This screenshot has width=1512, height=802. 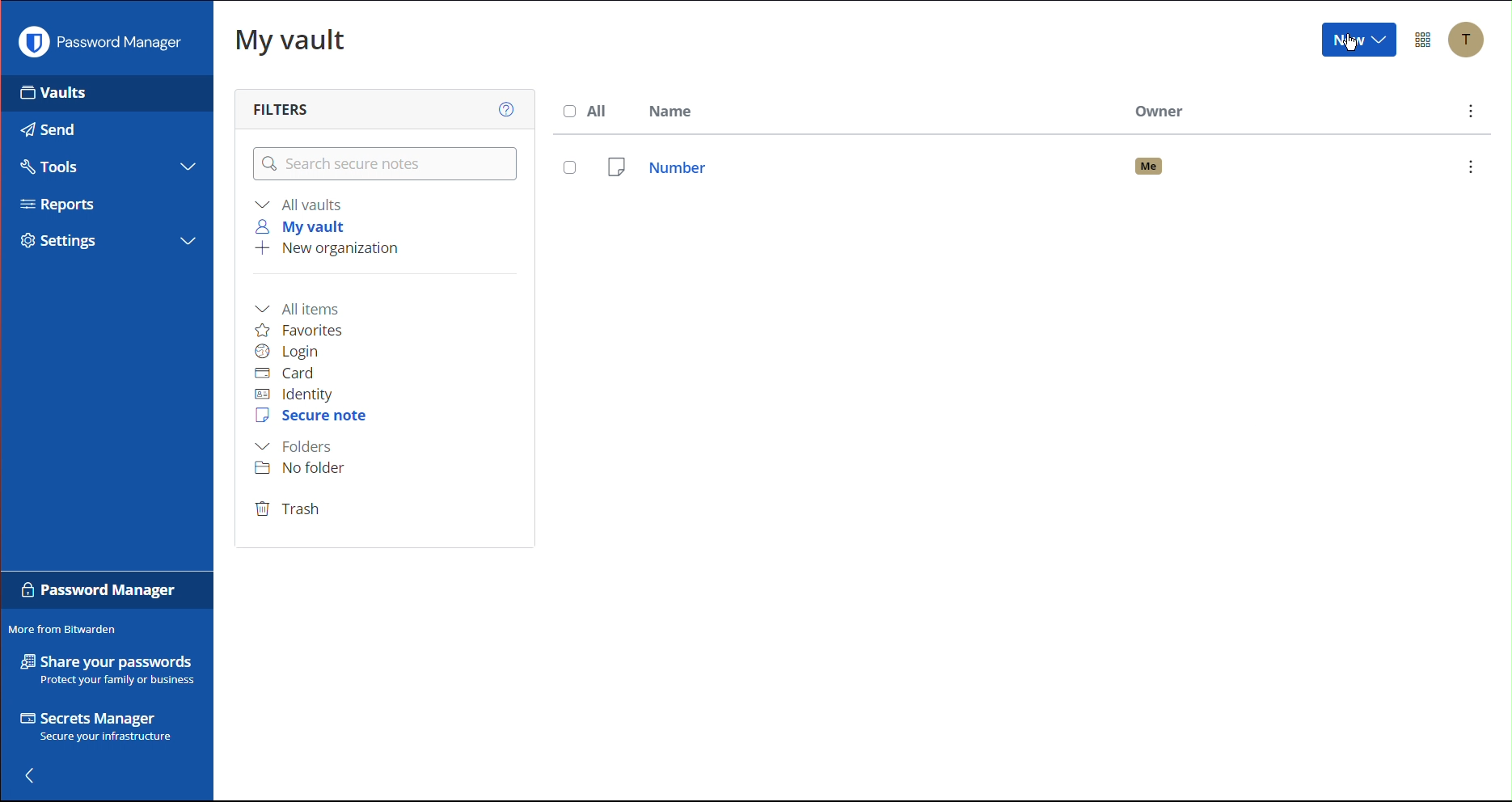 I want to click on Identity, so click(x=294, y=395).